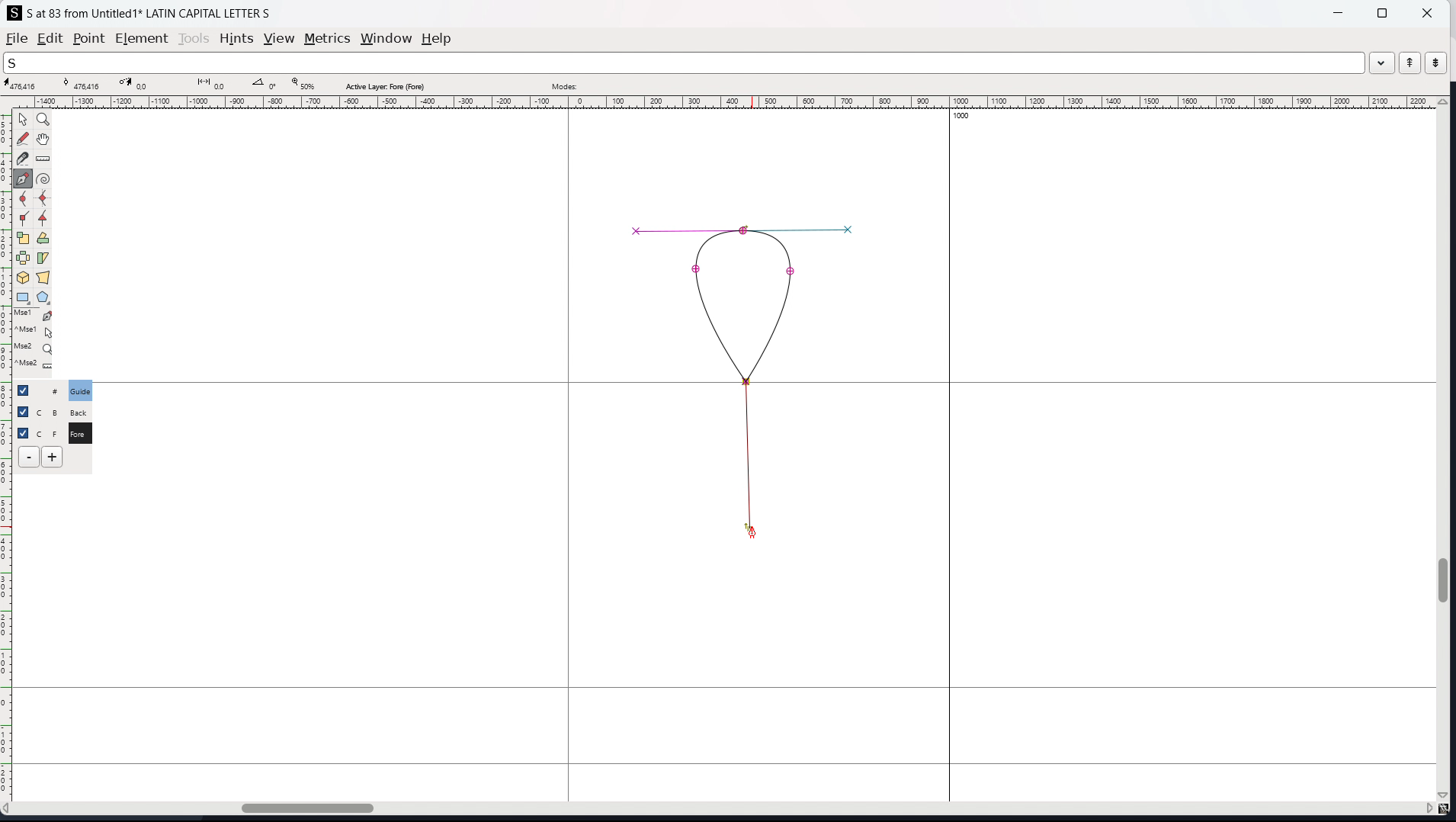 The width and height of the screenshot is (1456, 822). Describe the element at coordinates (23, 139) in the screenshot. I see `draw a freehand curve` at that location.